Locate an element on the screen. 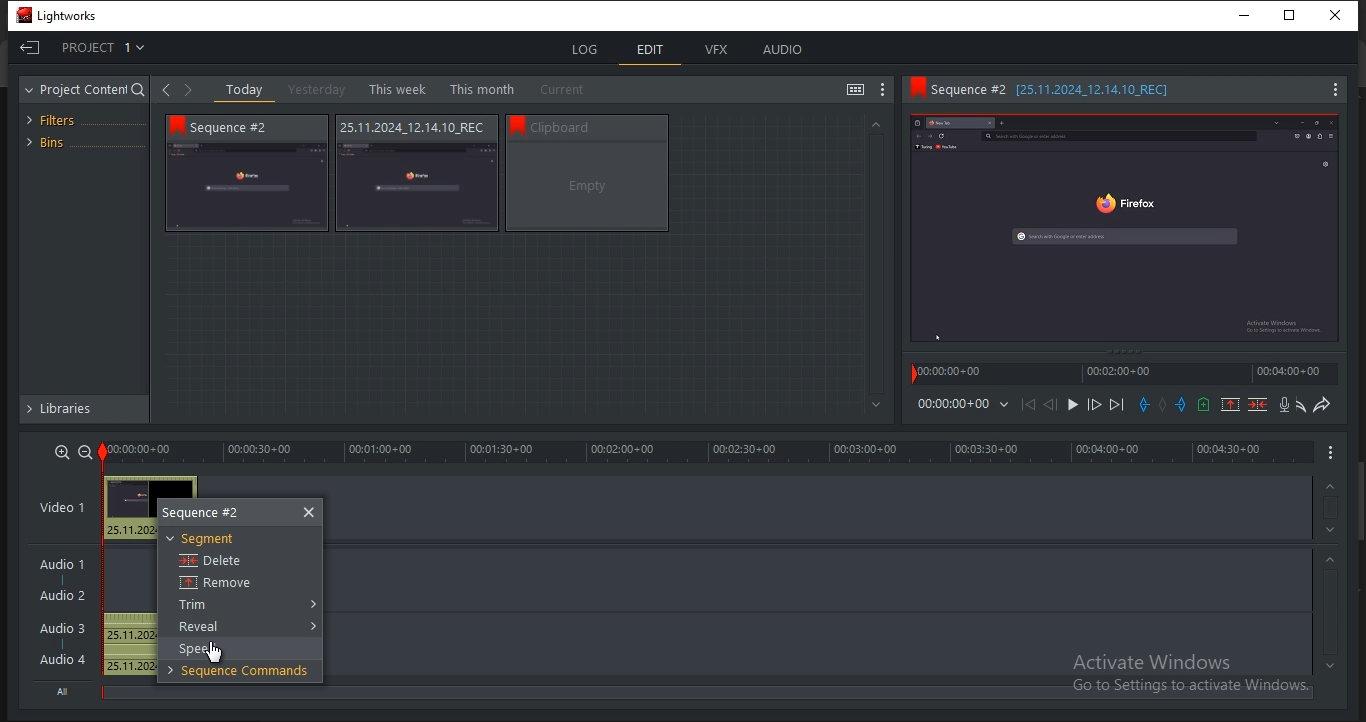 The image size is (1366, 722). time stamp is located at coordinates (1117, 375).